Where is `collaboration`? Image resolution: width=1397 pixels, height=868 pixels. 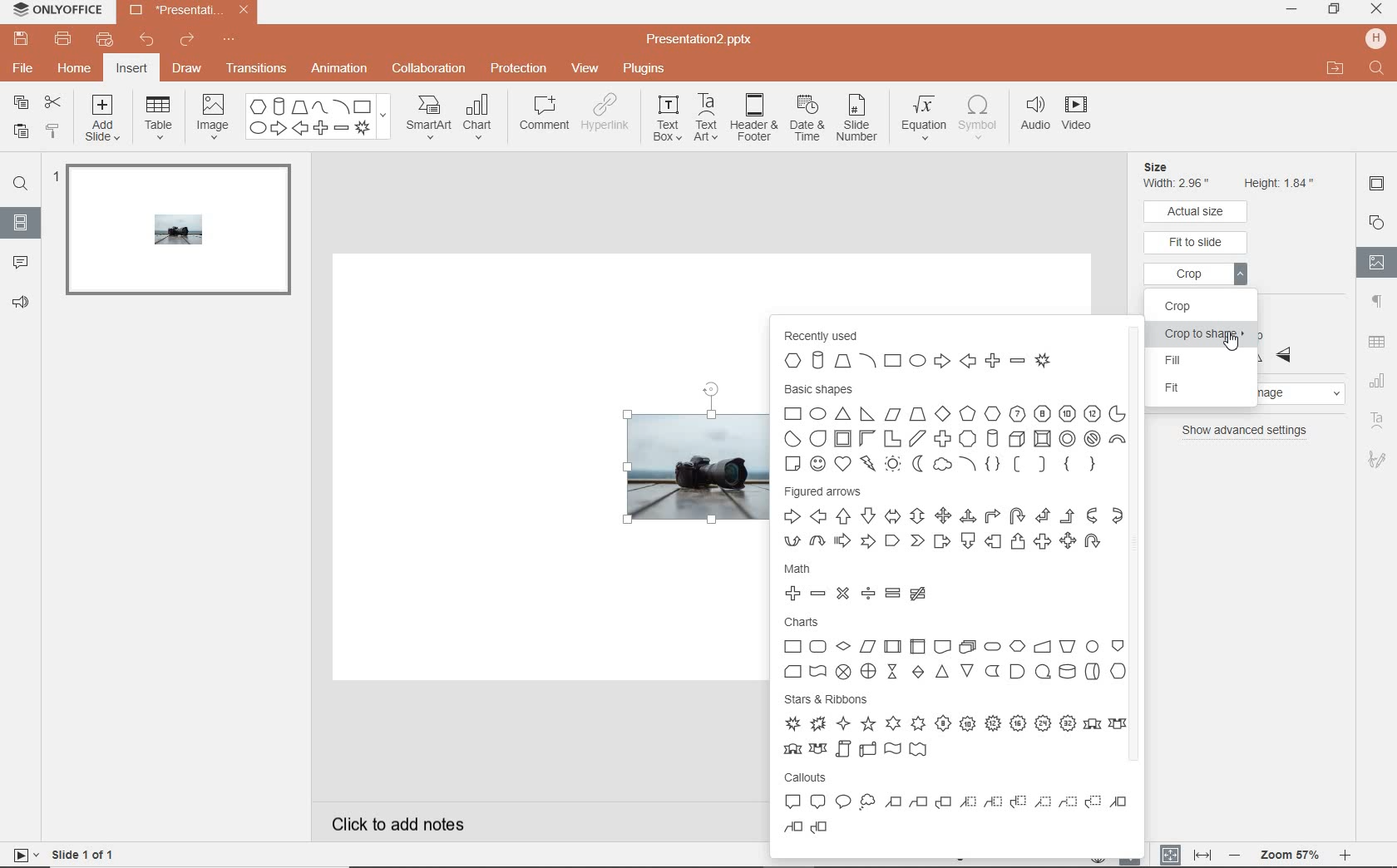 collaboration is located at coordinates (430, 70).